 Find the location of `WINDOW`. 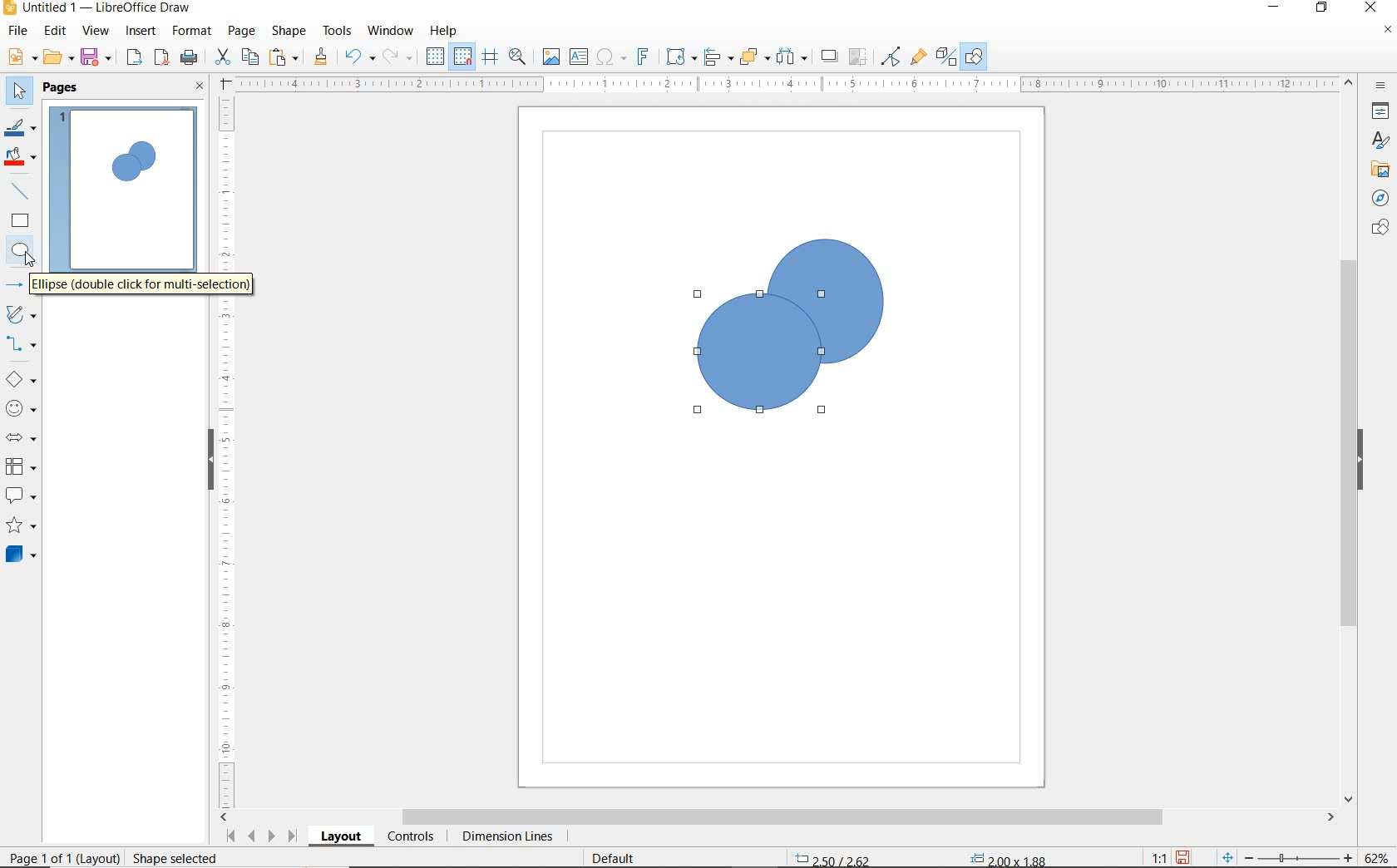

WINDOW is located at coordinates (390, 31).